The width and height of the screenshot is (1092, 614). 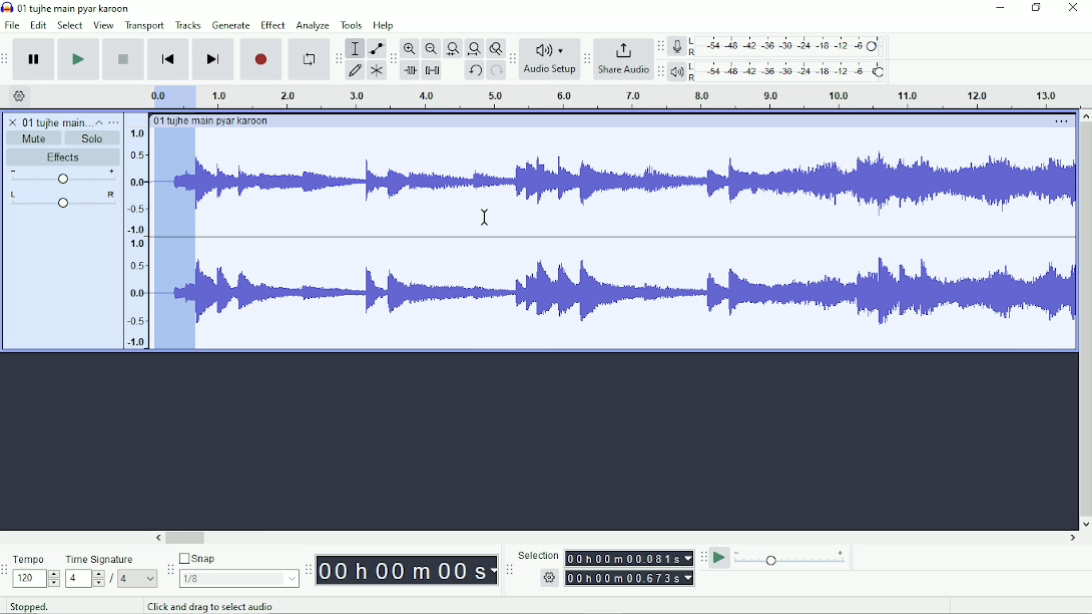 What do you see at coordinates (39, 25) in the screenshot?
I see `Edit` at bounding box center [39, 25].